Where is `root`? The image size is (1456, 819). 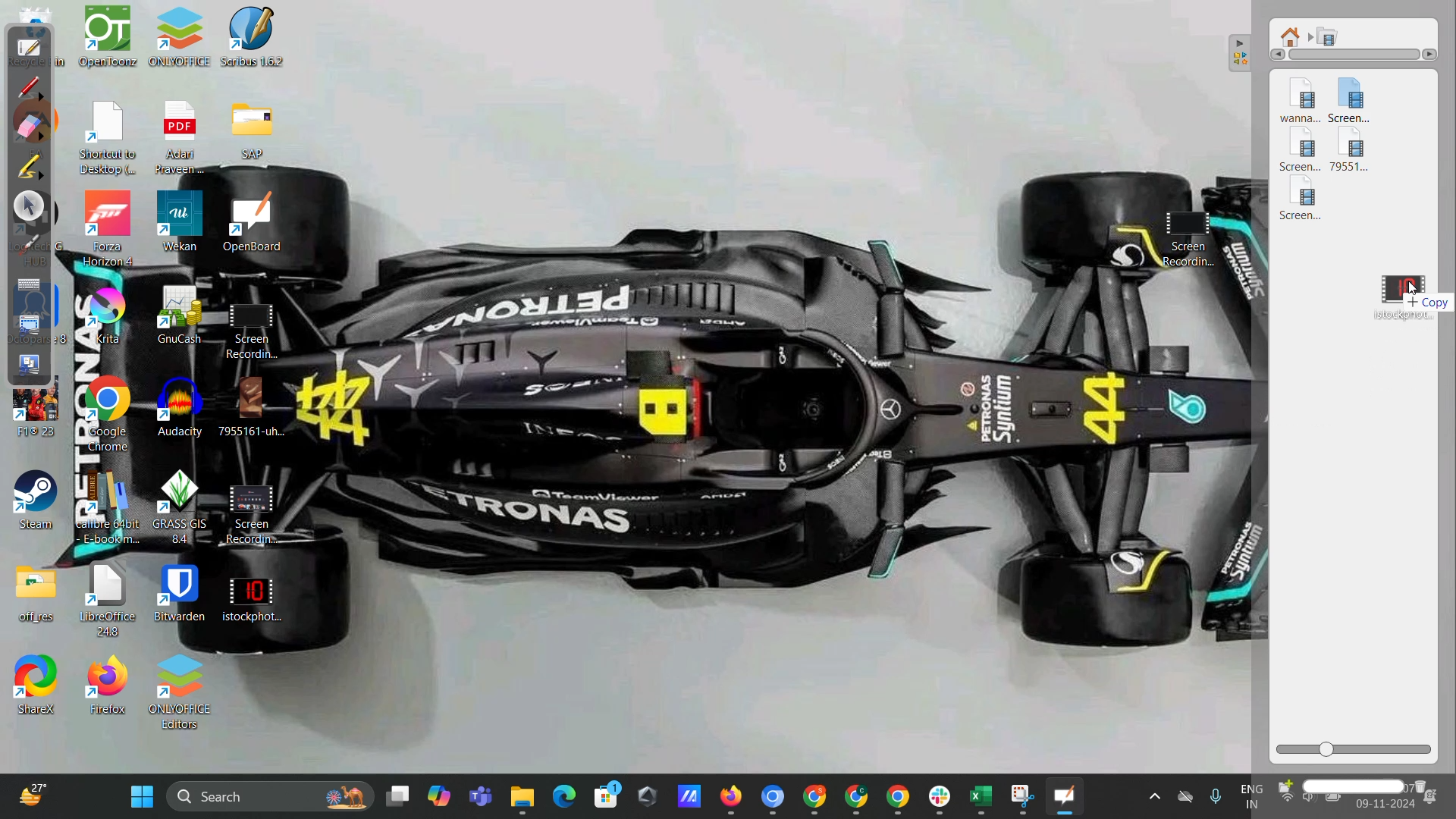
root is located at coordinates (1294, 33).